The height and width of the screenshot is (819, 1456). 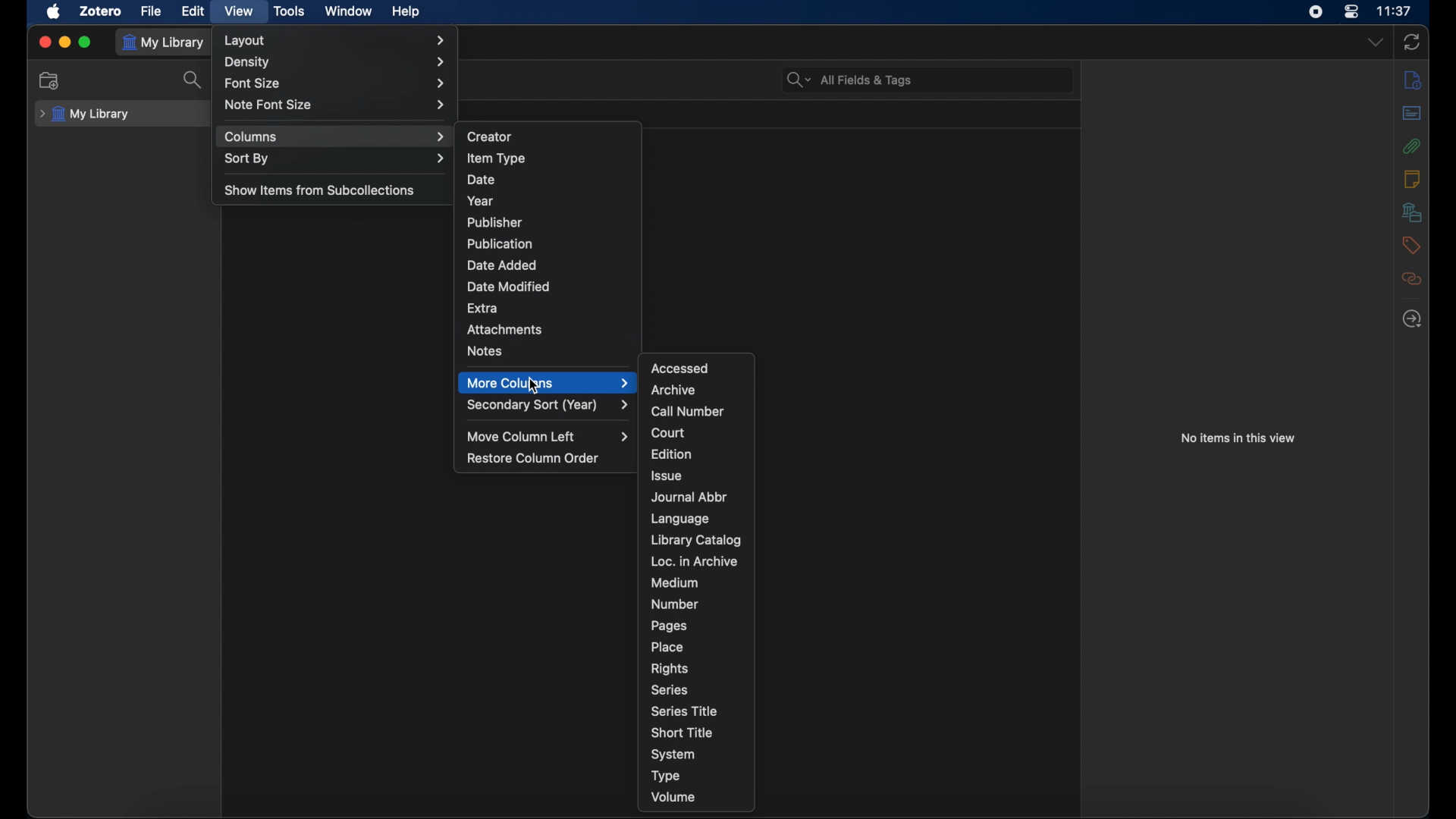 What do you see at coordinates (534, 387) in the screenshot?
I see `cursor` at bounding box center [534, 387].